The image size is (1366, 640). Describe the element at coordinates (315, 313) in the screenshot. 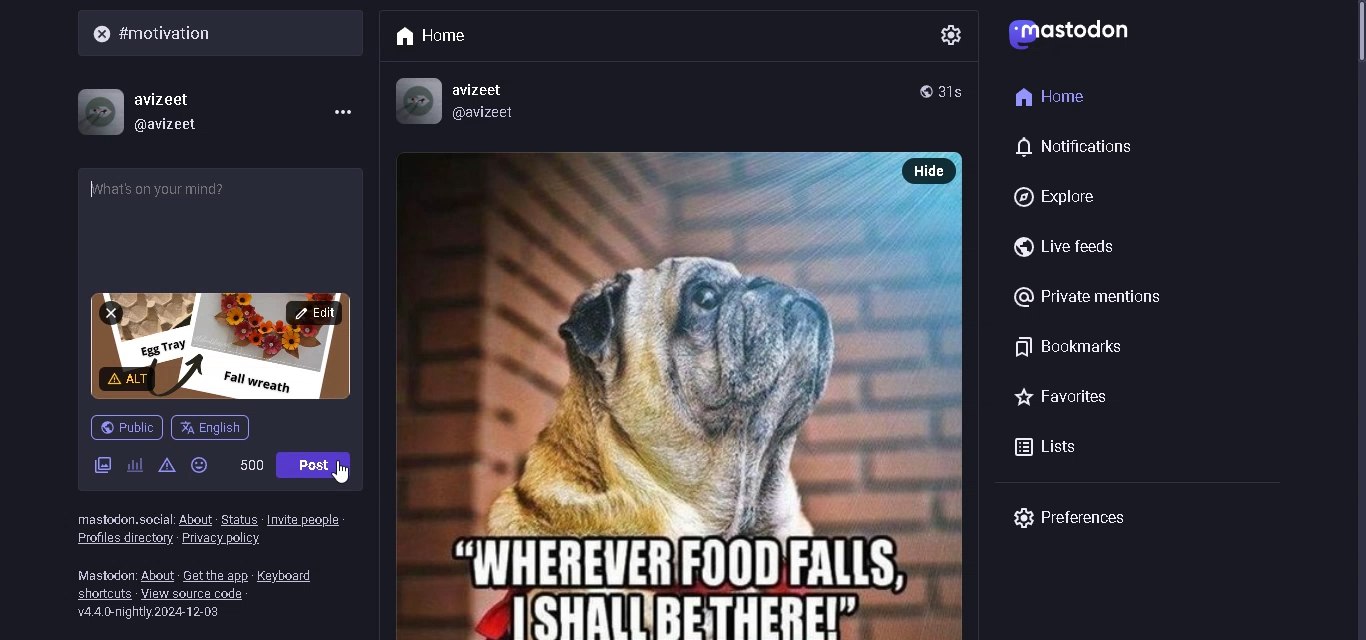

I see `edit picture` at that location.